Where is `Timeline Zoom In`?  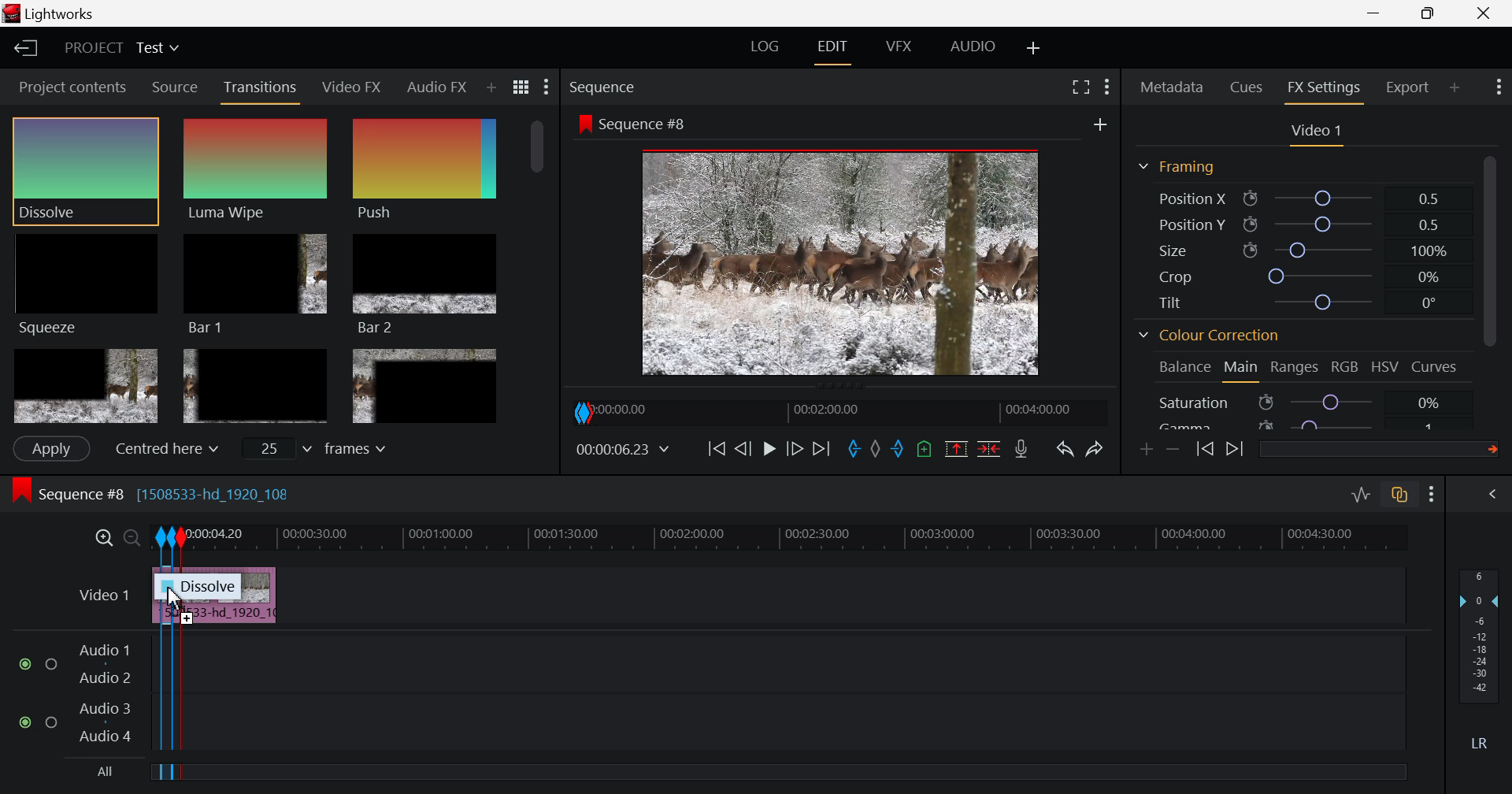
Timeline Zoom In is located at coordinates (105, 538).